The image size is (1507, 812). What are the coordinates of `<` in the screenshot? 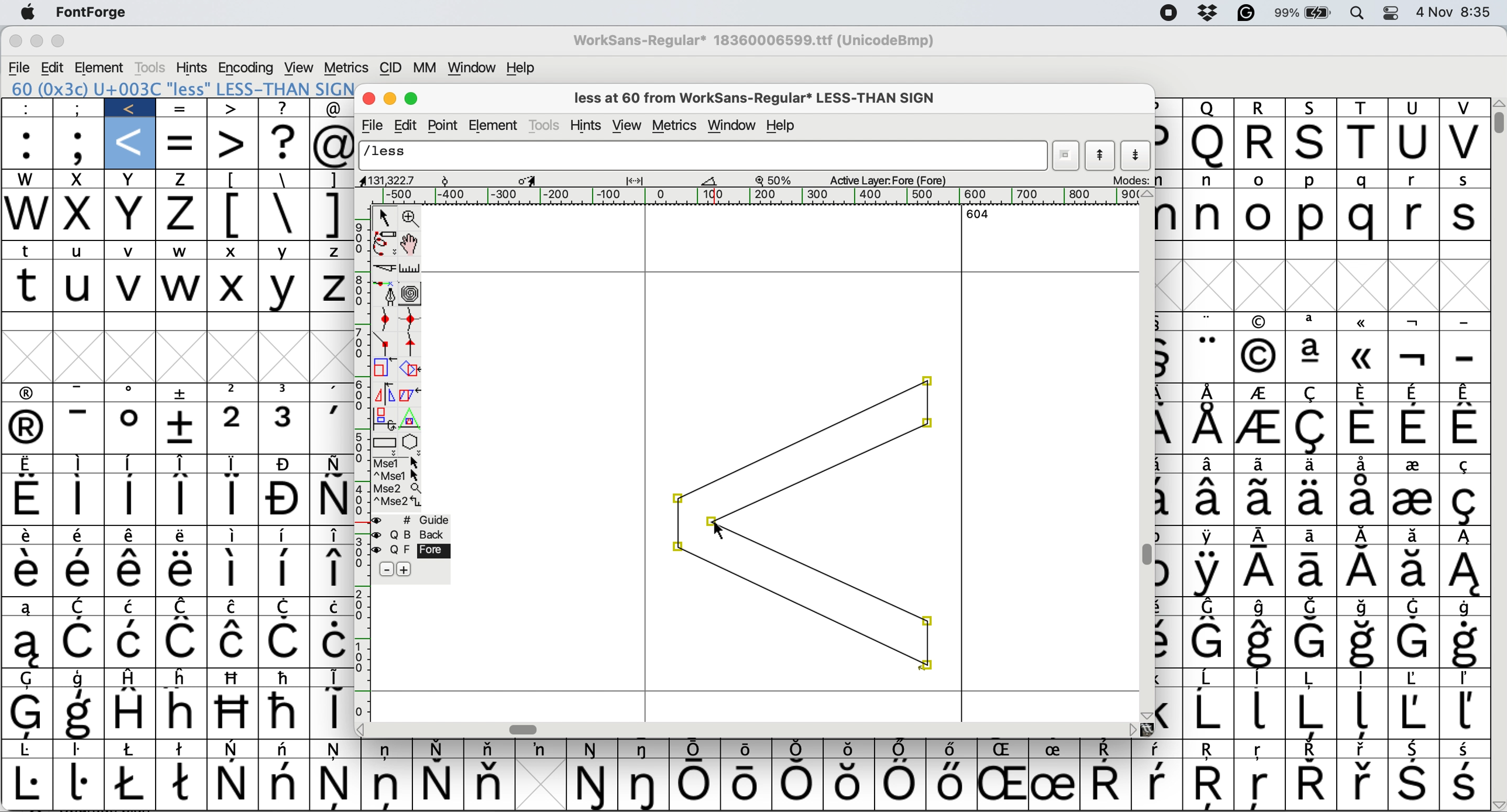 It's located at (132, 108).